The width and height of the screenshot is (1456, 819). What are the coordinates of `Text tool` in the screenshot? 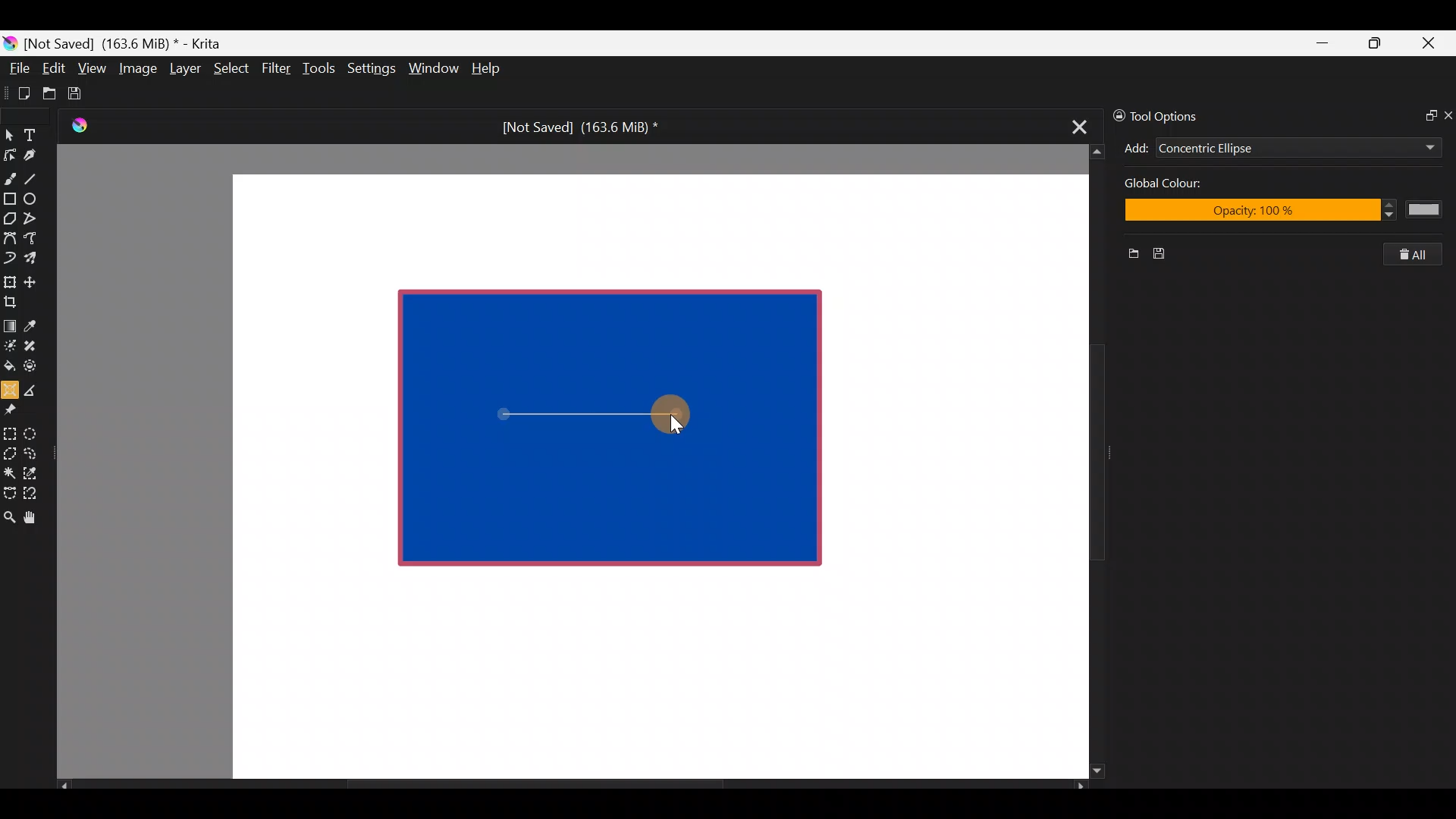 It's located at (38, 134).